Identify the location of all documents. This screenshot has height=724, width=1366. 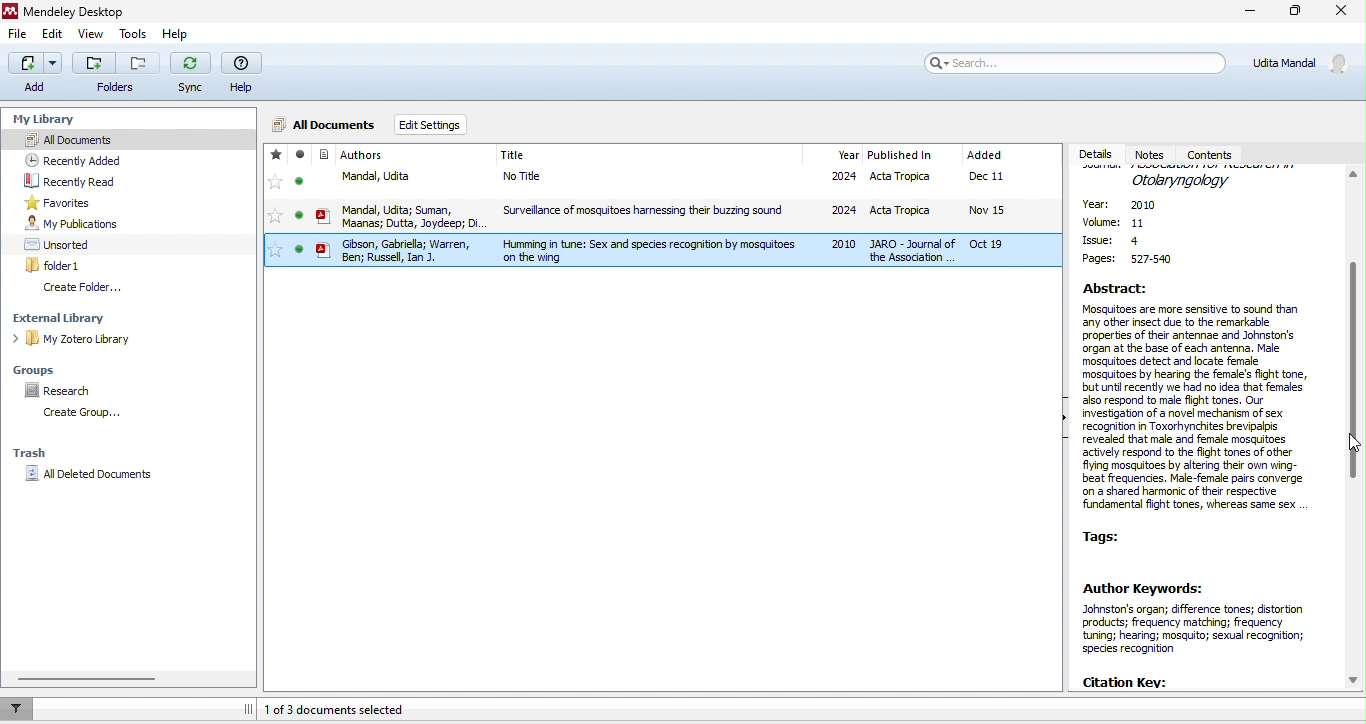
(325, 122).